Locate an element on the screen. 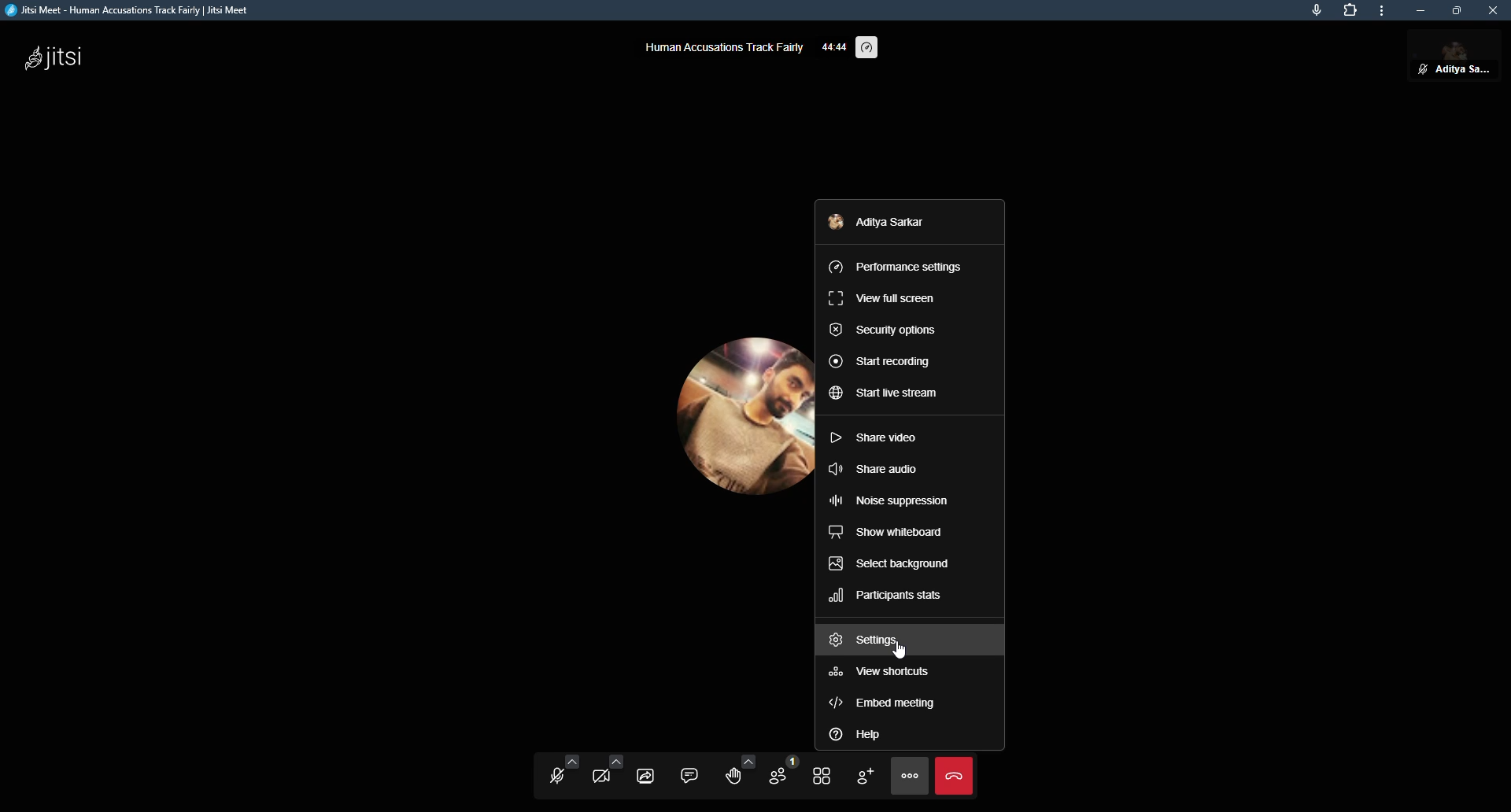  minimize is located at coordinates (1420, 10).